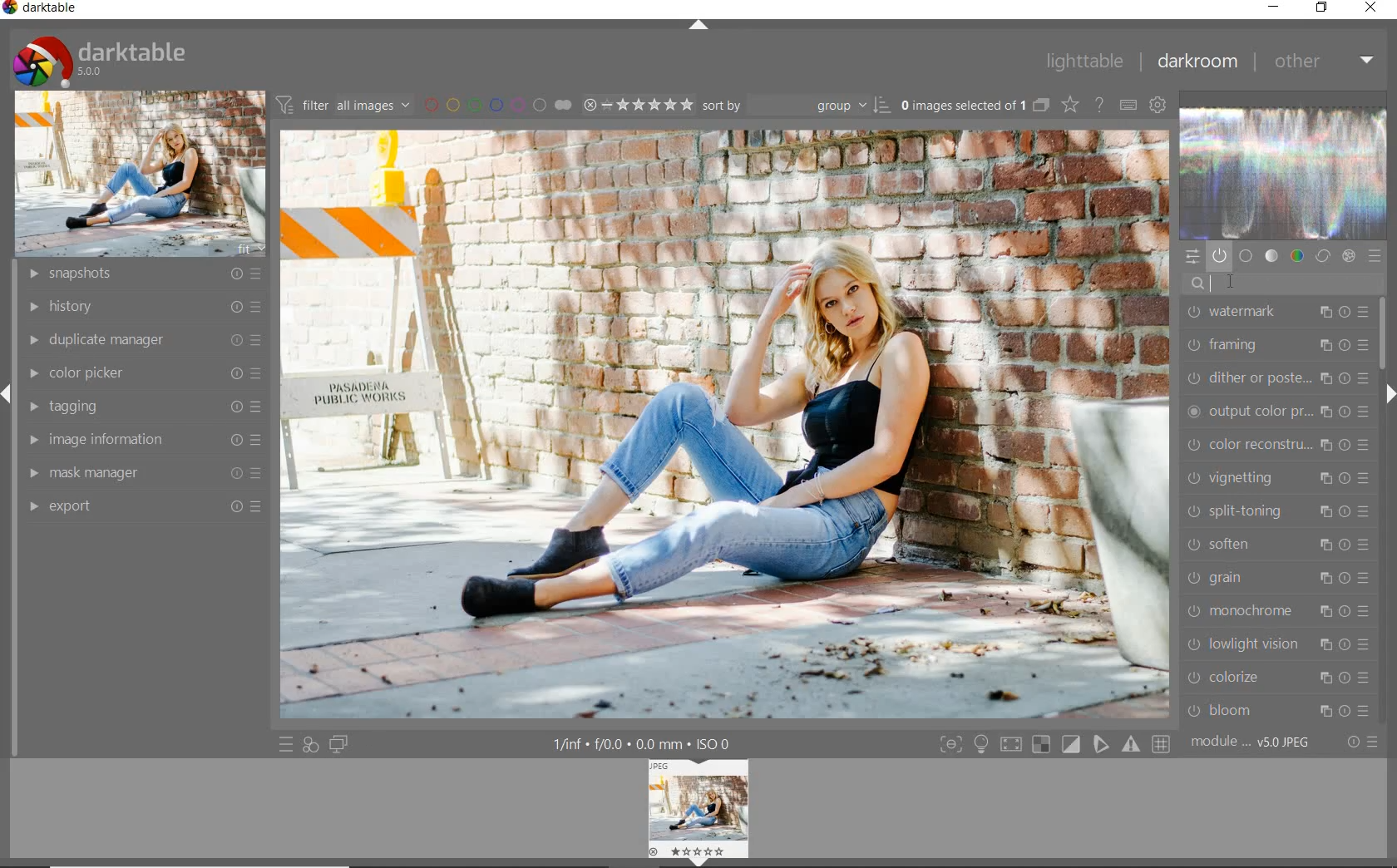 Image resolution: width=1397 pixels, height=868 pixels. Describe the element at coordinates (1042, 106) in the screenshot. I see `collapse grouped images` at that location.